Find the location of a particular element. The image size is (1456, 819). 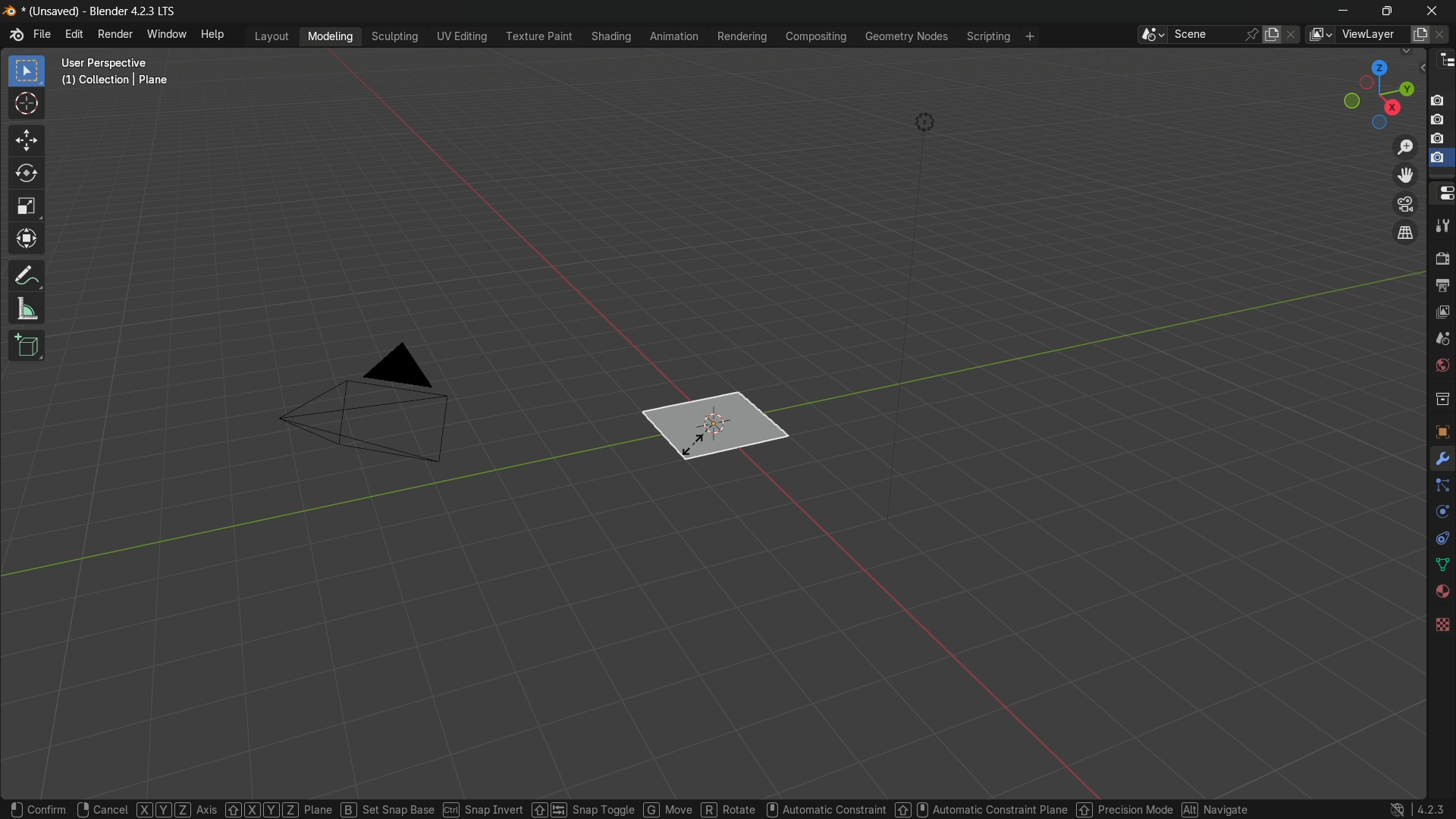

help menu is located at coordinates (214, 34).